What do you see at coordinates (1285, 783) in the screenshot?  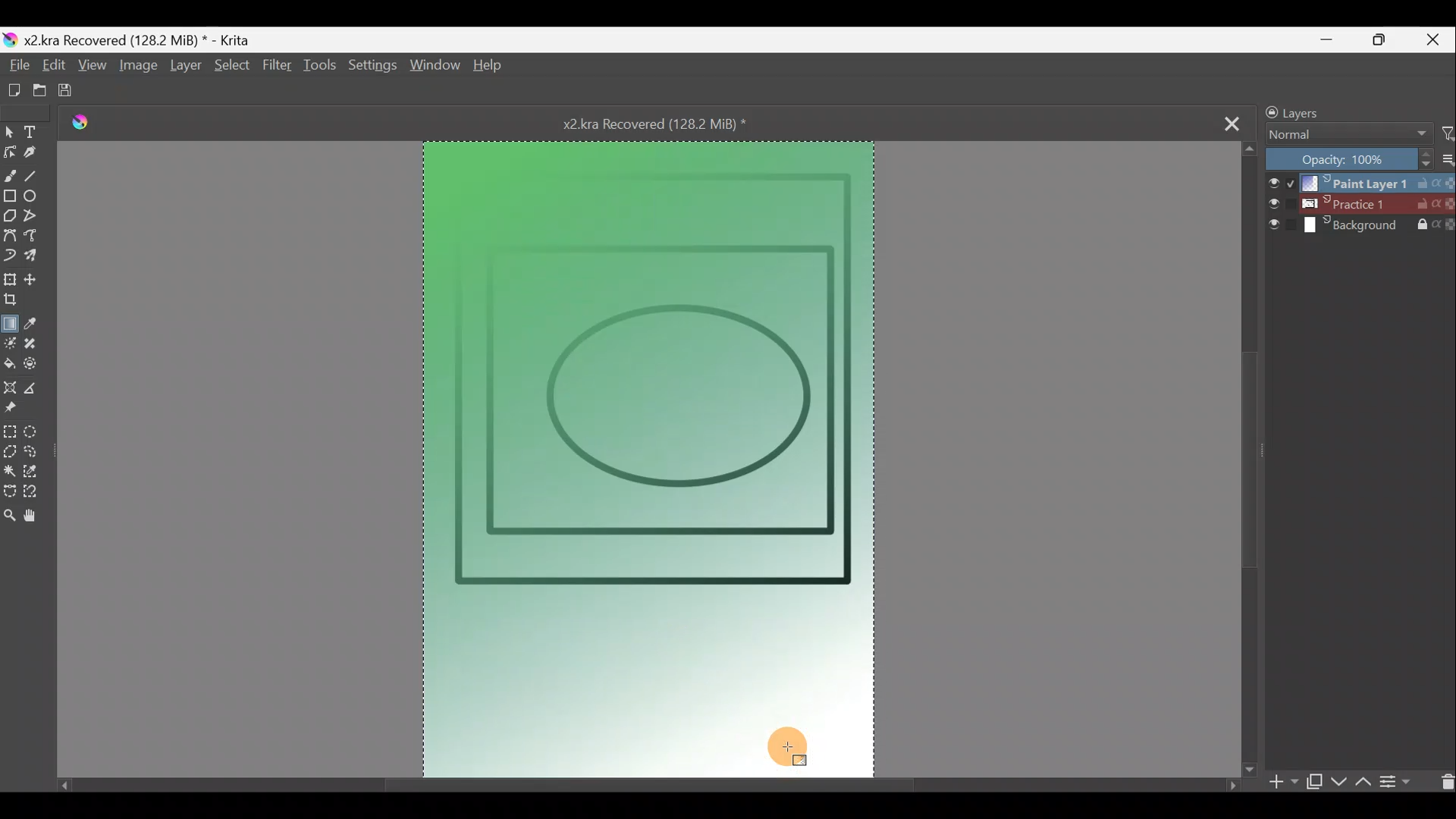 I see `Add layer/mask` at bounding box center [1285, 783].